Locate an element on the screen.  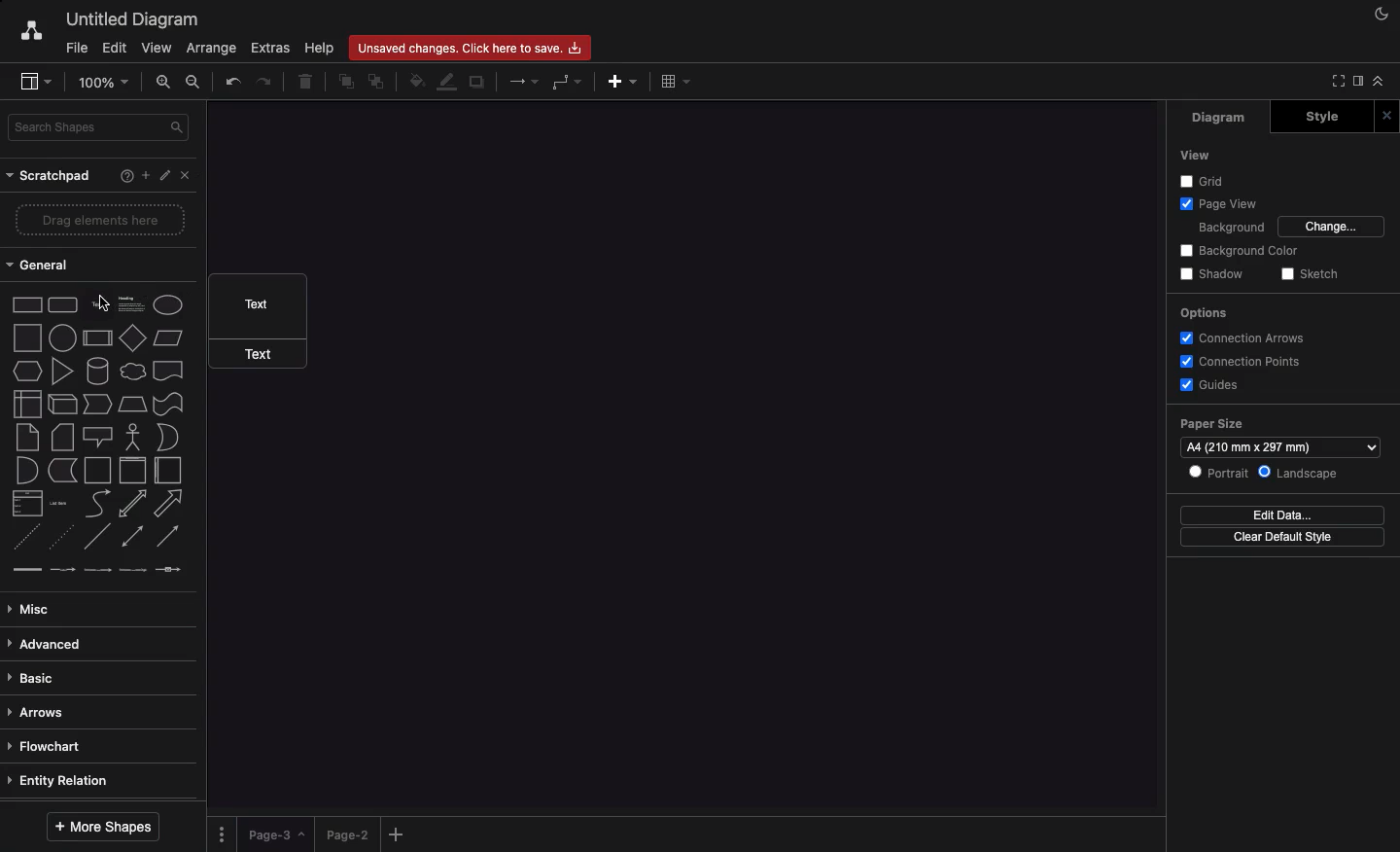
and is located at coordinates (28, 471).